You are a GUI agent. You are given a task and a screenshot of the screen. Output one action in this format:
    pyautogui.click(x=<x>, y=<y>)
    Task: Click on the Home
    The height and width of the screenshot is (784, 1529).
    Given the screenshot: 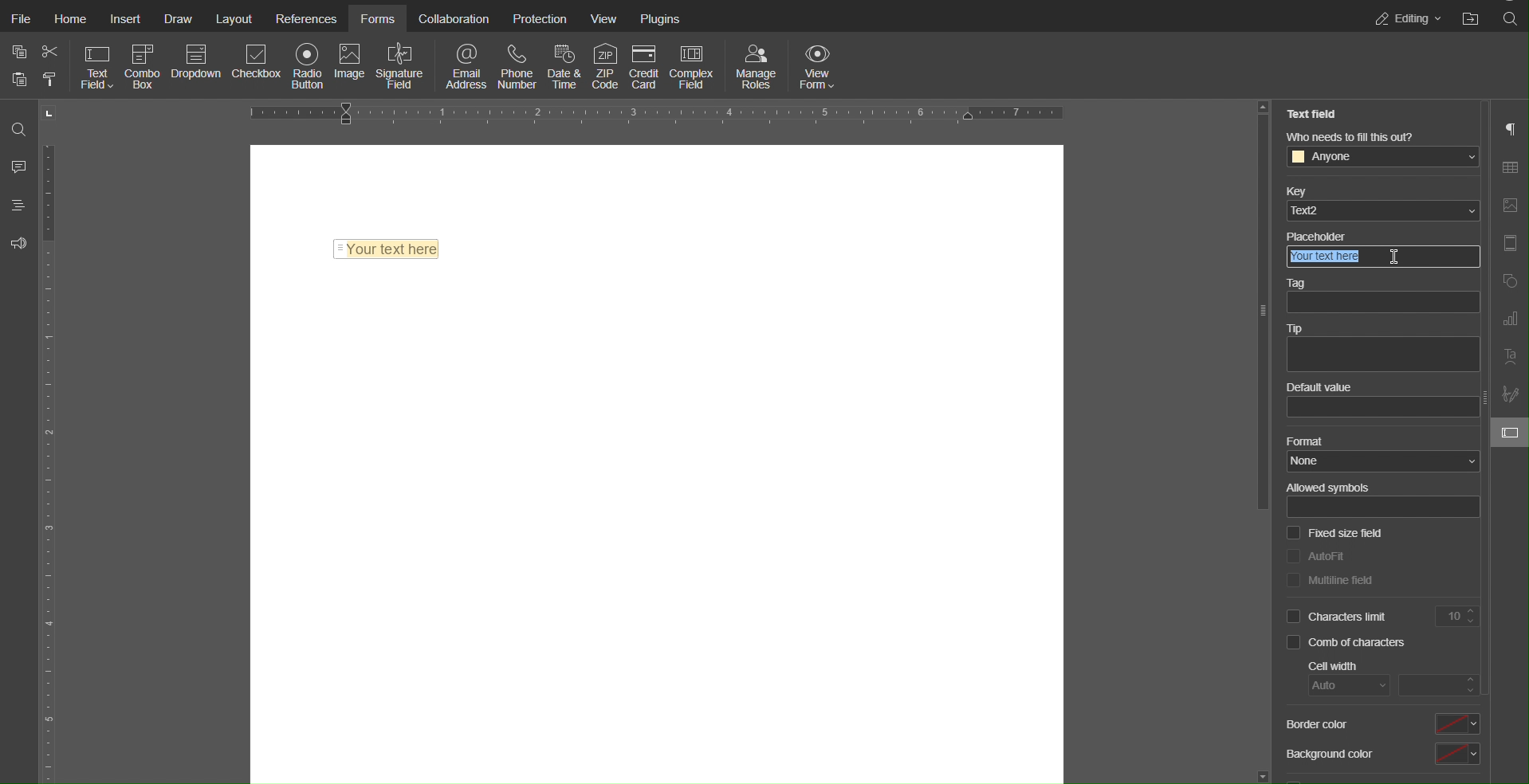 What is the action you would take?
    pyautogui.click(x=70, y=20)
    